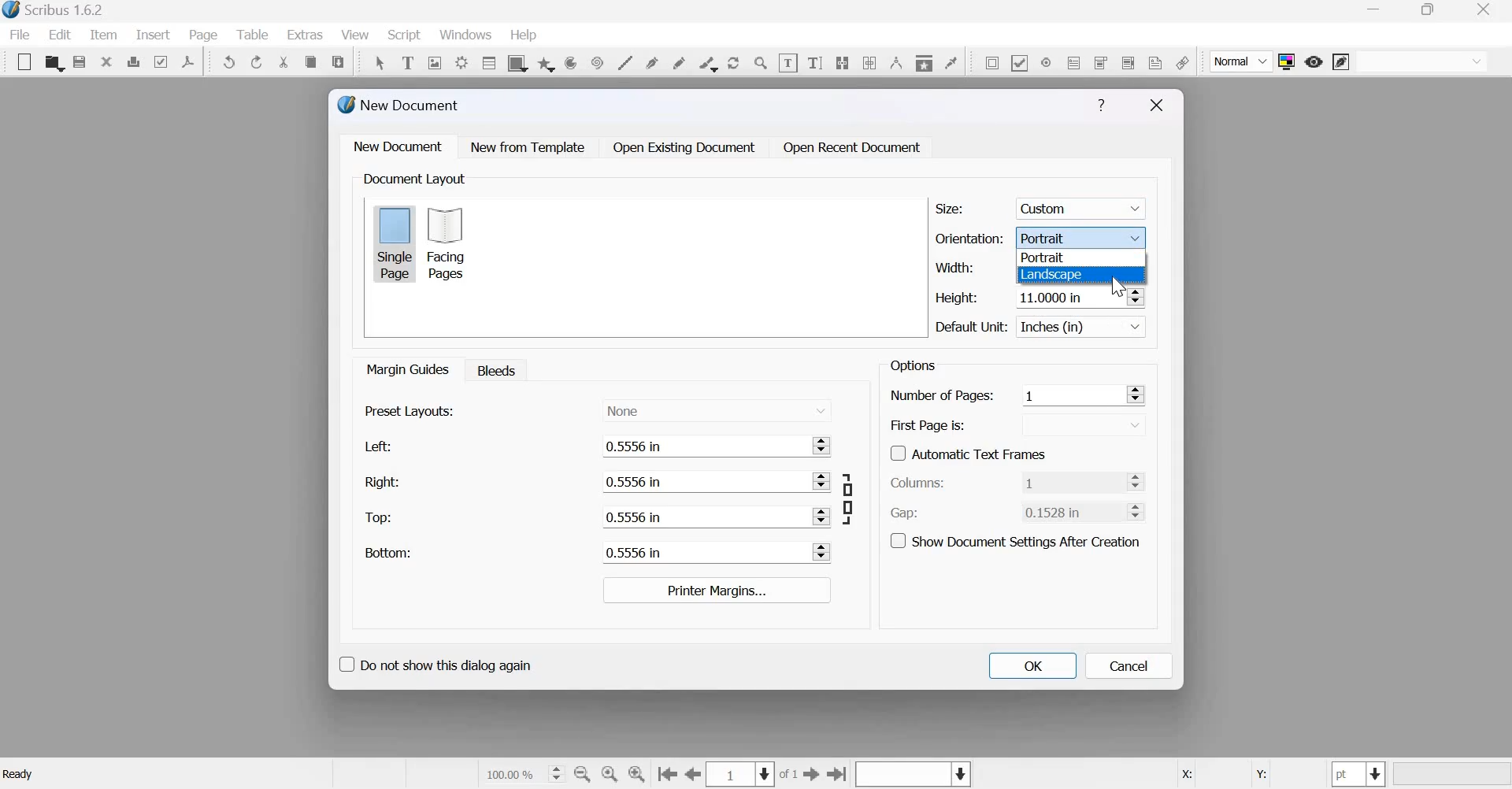 This screenshot has width=1512, height=789. I want to click on extras, so click(306, 35).